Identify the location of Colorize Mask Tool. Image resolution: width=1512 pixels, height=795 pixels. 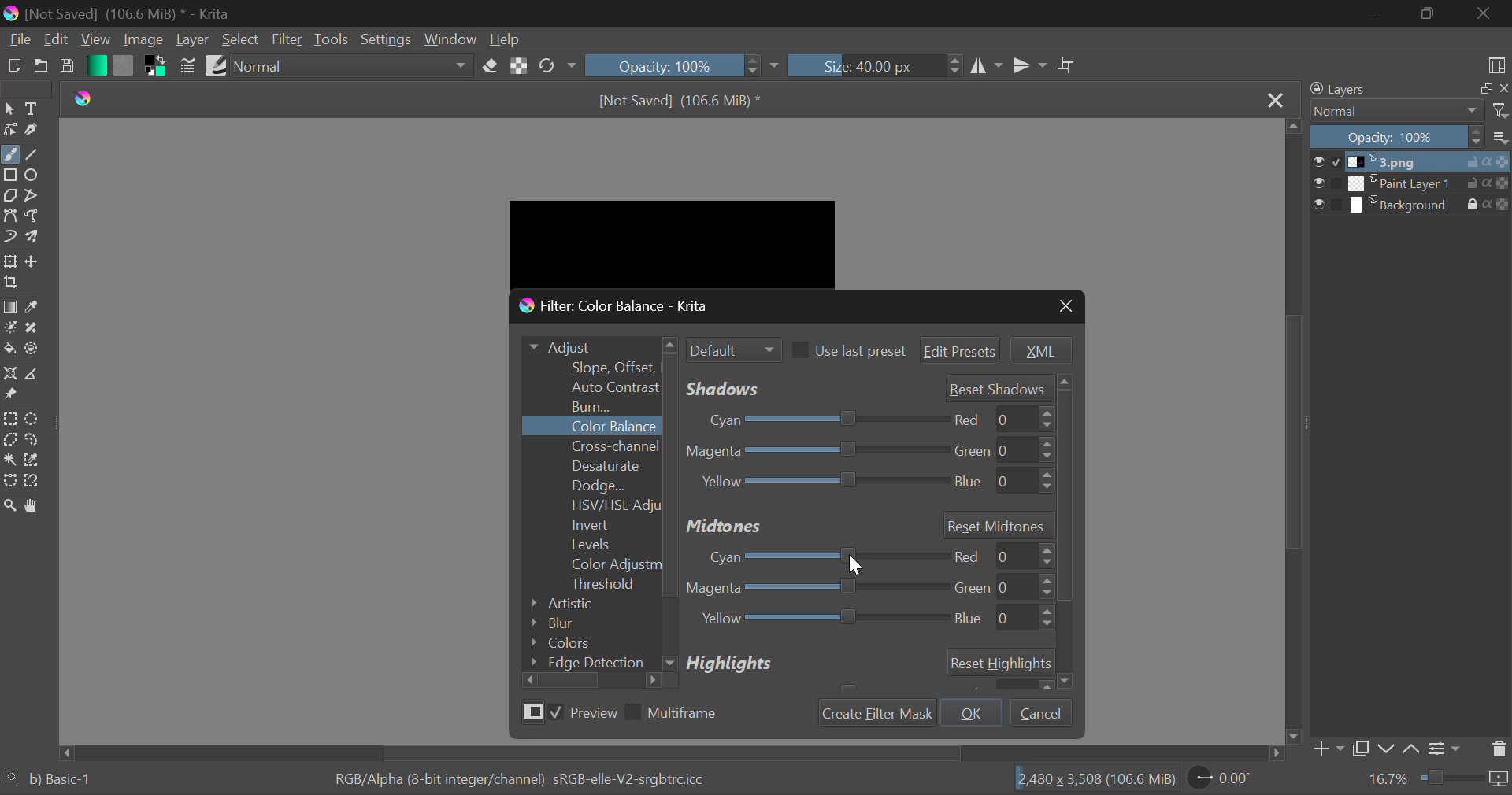
(11, 329).